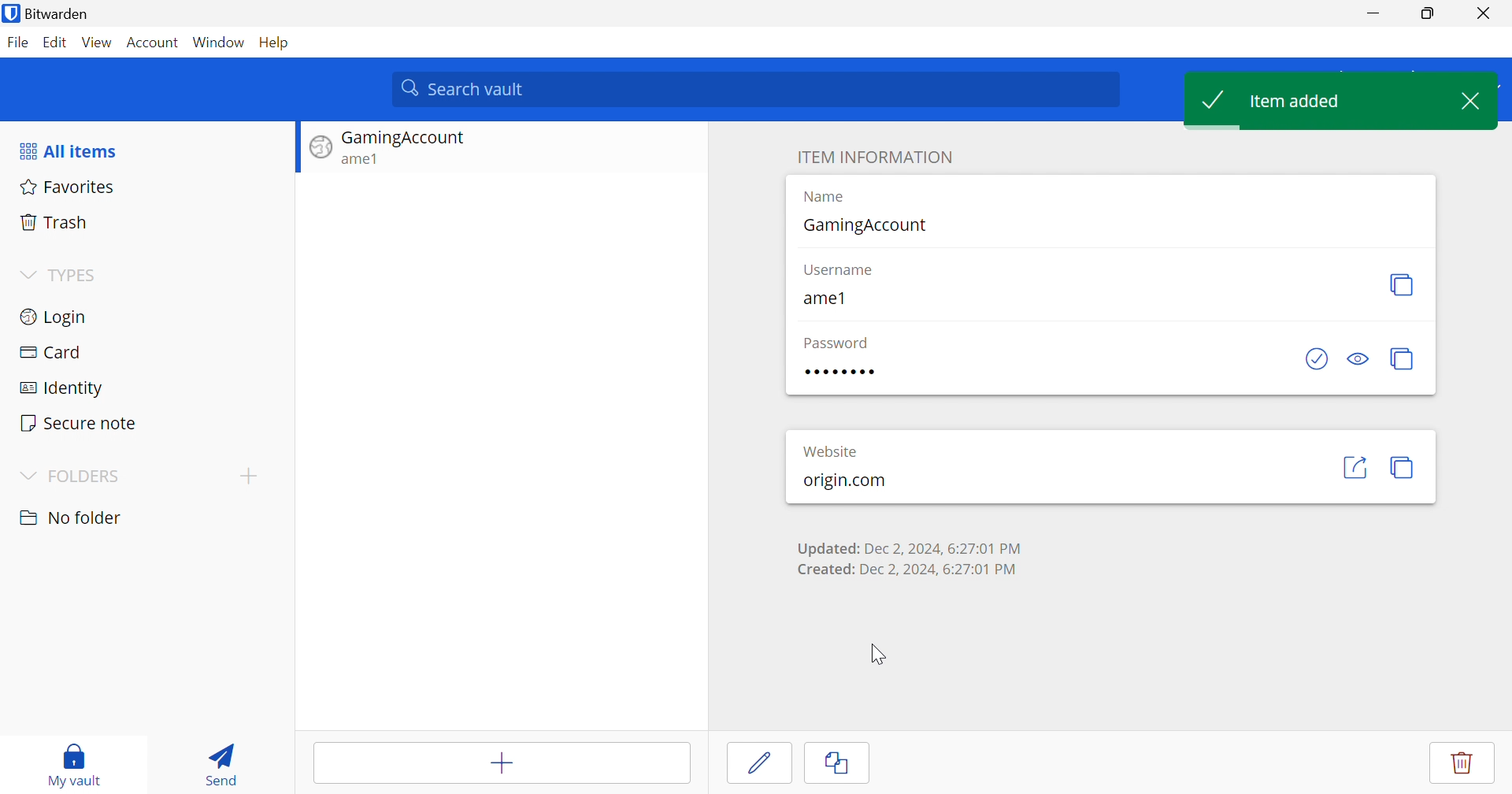 The width and height of the screenshot is (1512, 794). I want to click on Toggle visibility, so click(1358, 358).